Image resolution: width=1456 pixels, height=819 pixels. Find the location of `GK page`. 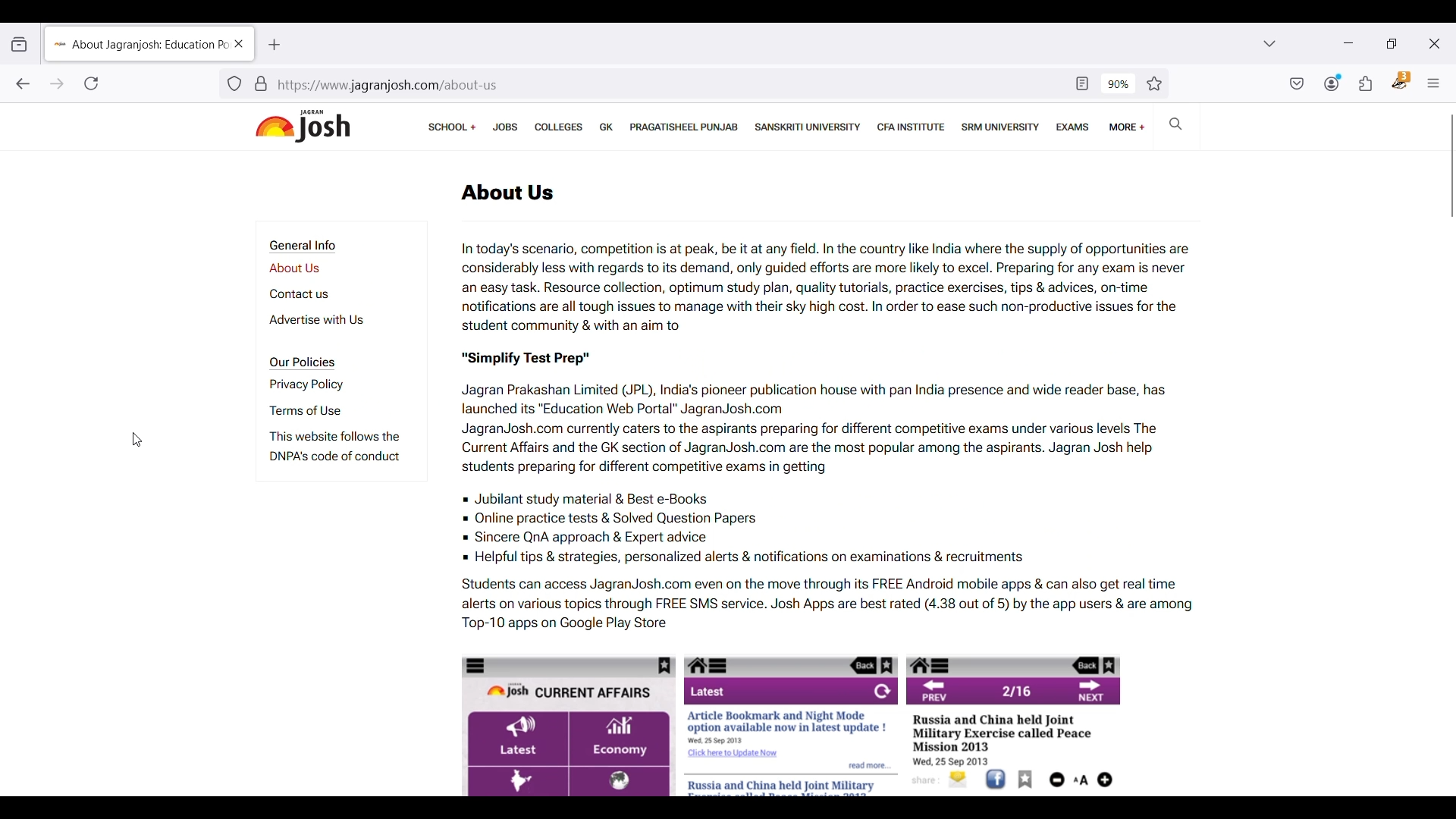

GK page is located at coordinates (607, 127).